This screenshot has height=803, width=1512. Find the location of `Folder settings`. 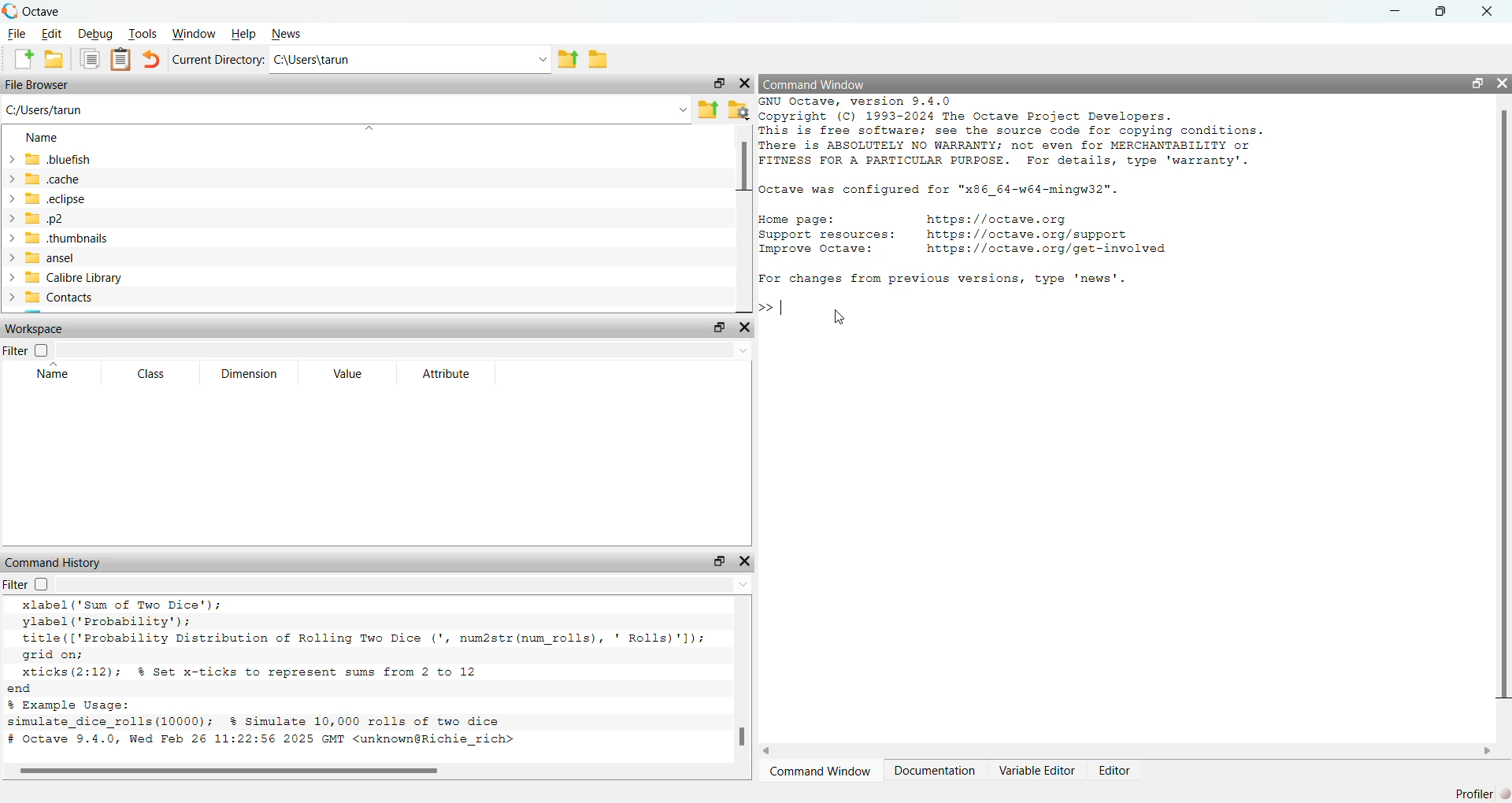

Folder settings is located at coordinates (738, 110).